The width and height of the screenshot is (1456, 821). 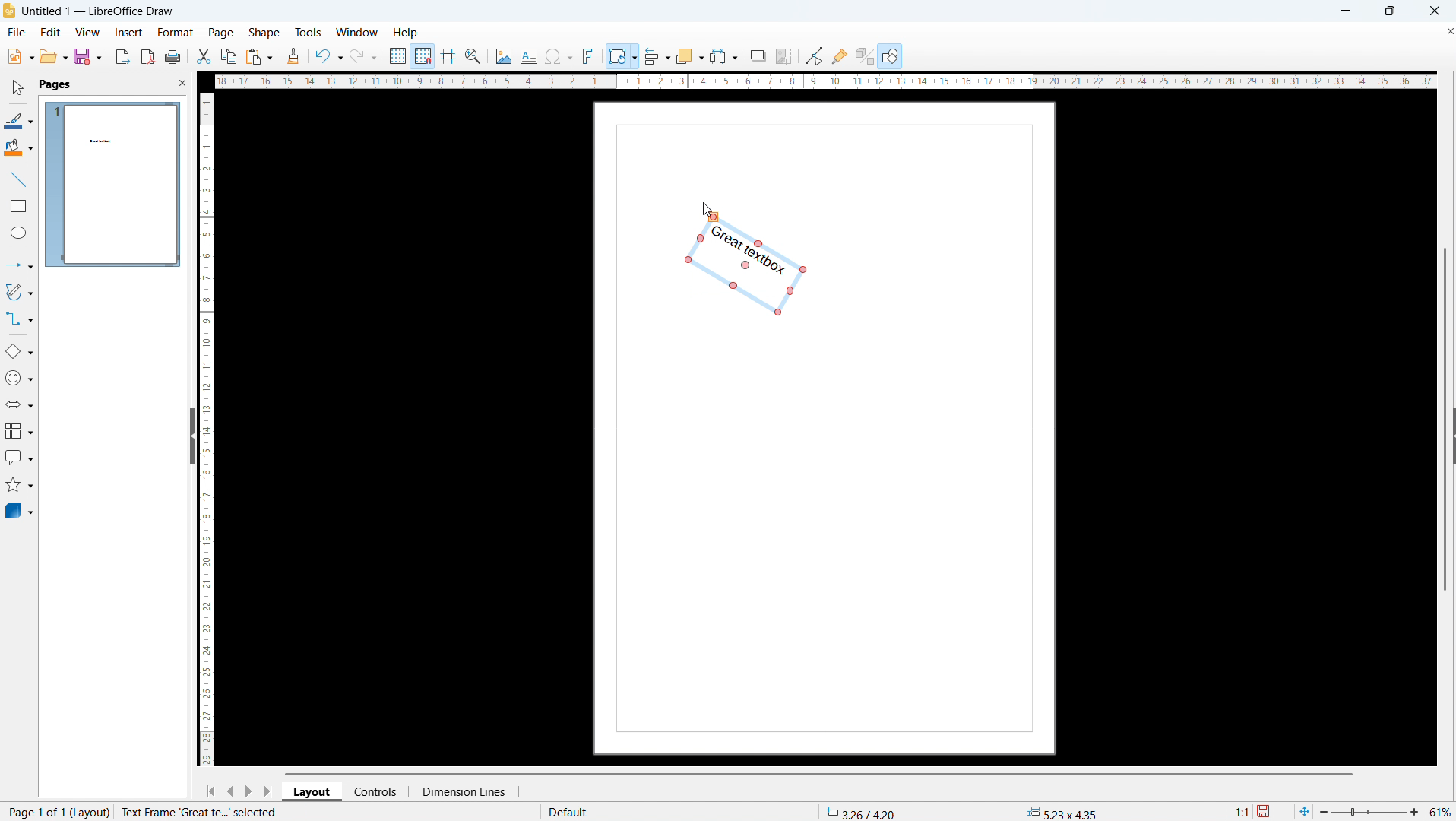 What do you see at coordinates (1442, 813) in the screenshot?
I see `Zoom level` at bounding box center [1442, 813].